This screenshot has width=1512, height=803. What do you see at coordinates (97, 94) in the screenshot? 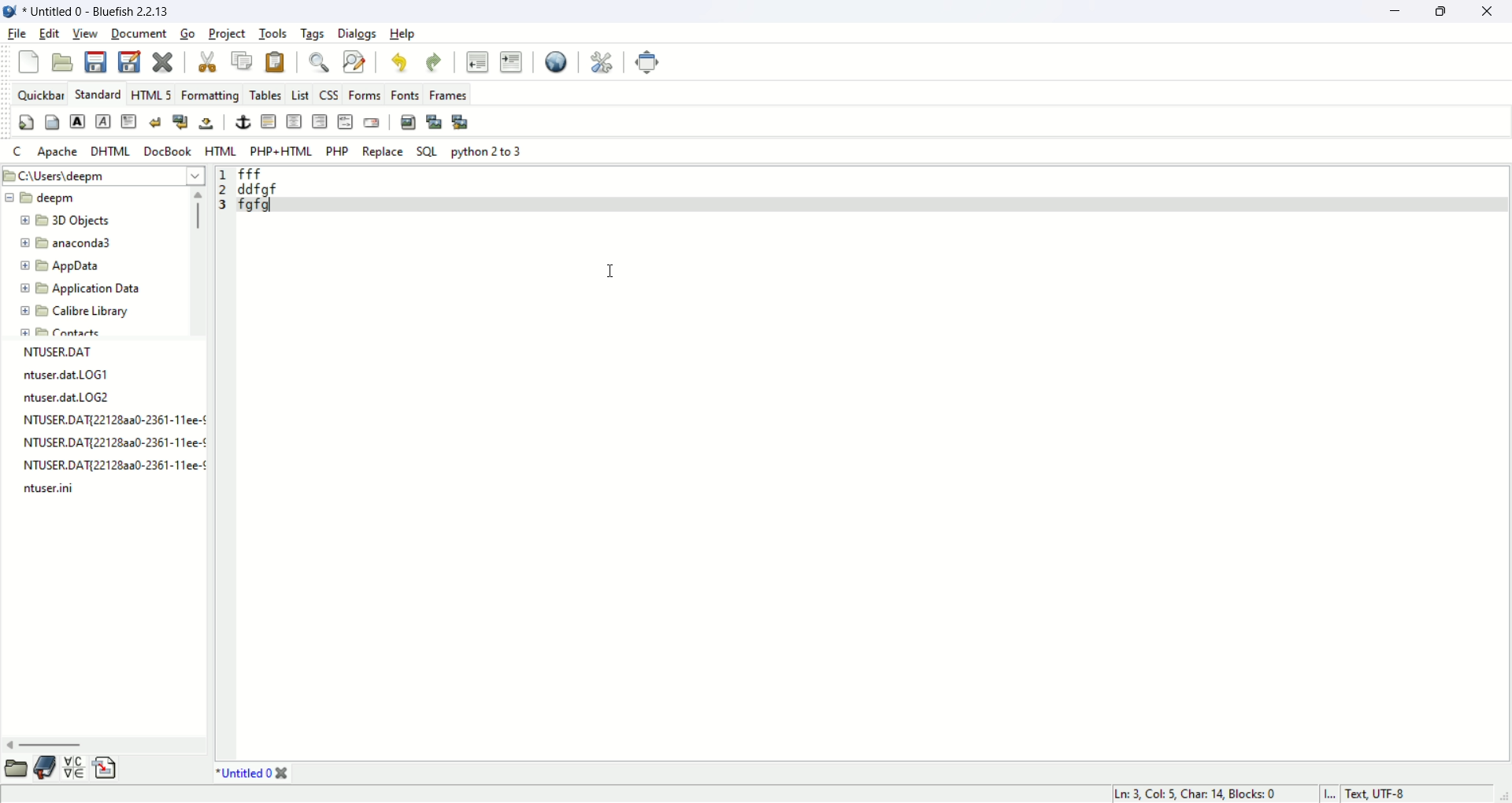
I see `Standard` at bounding box center [97, 94].